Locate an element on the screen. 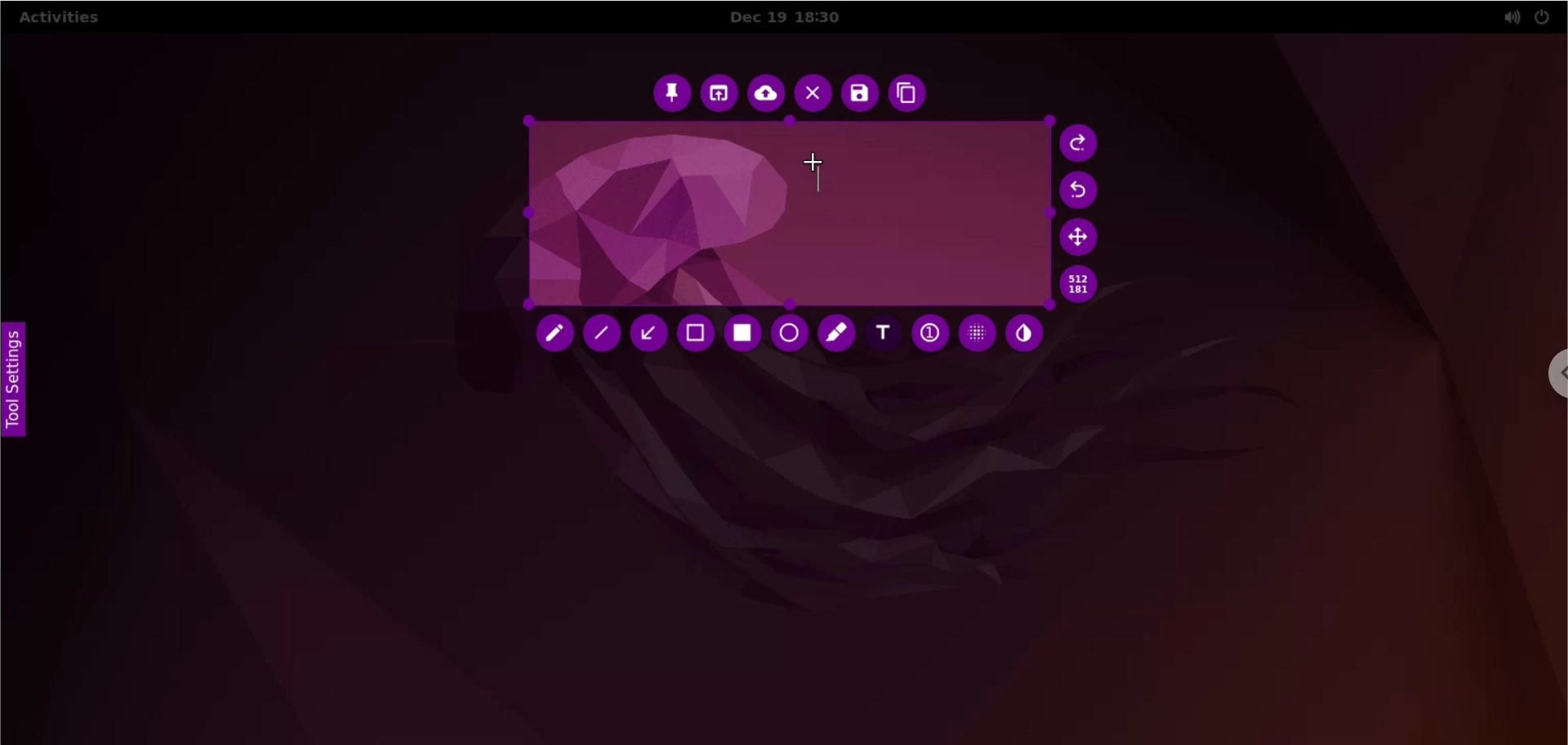 The image size is (1568, 745). auto increment value is located at coordinates (929, 330).